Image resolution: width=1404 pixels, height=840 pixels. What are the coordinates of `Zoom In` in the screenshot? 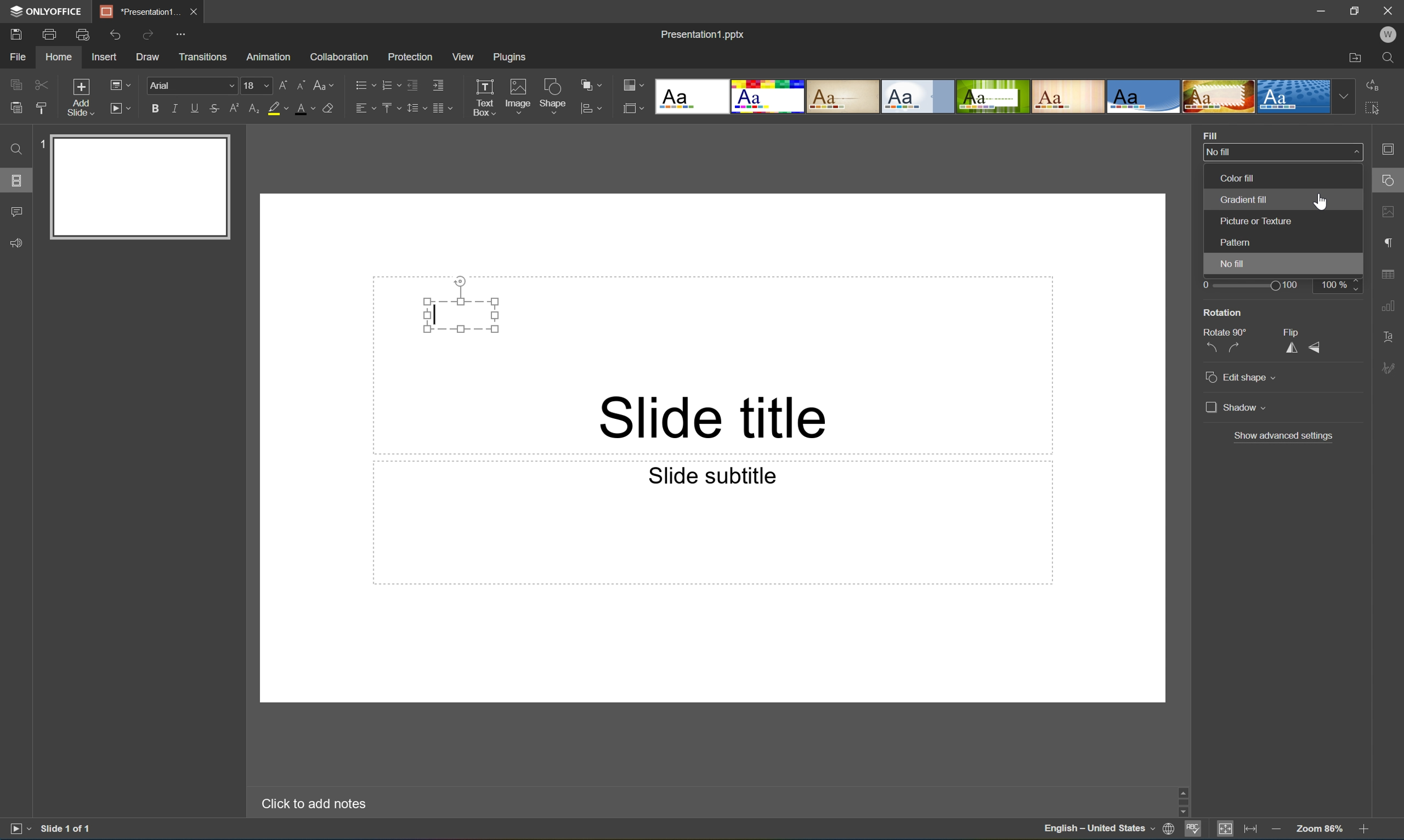 It's located at (1363, 831).